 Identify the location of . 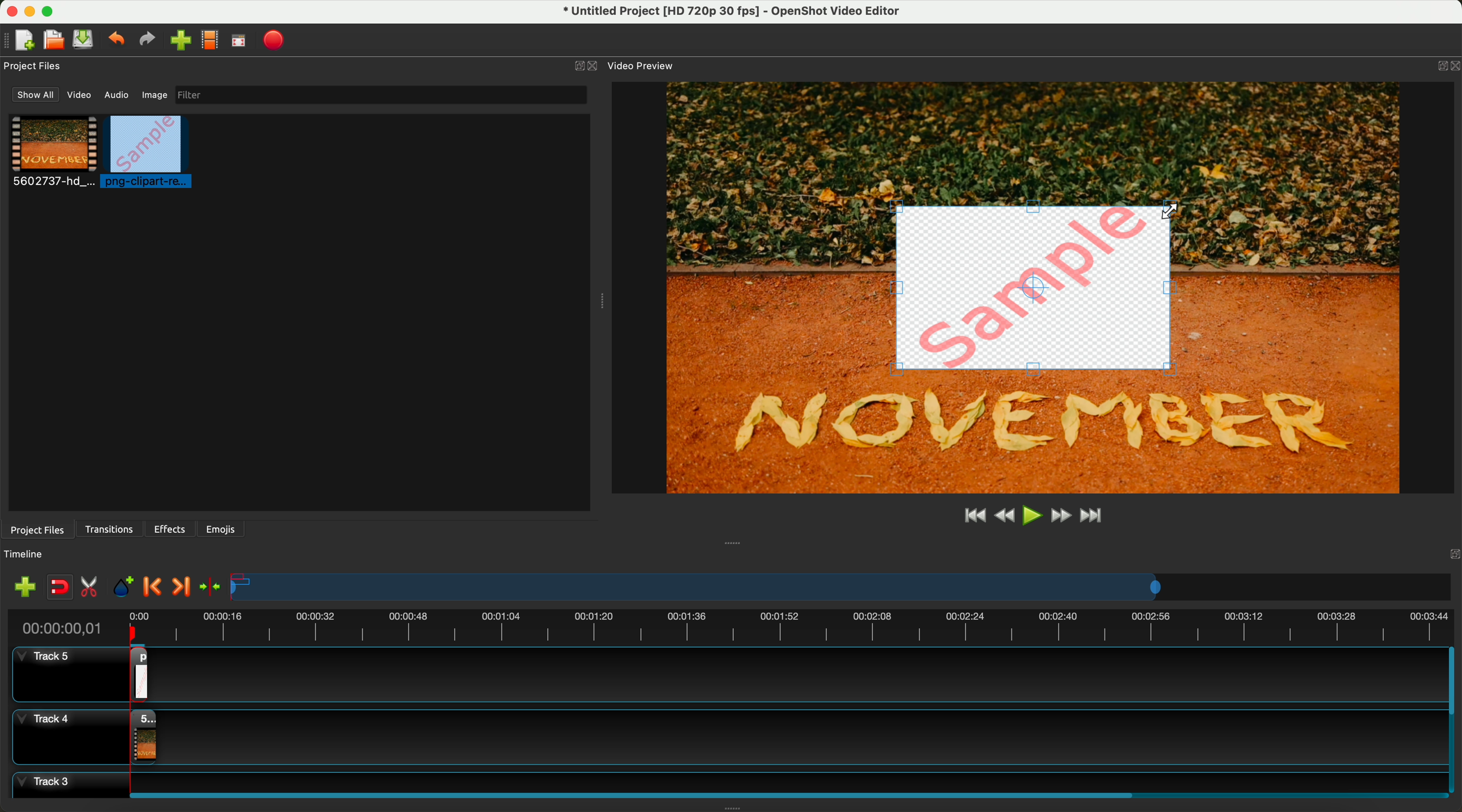
(1451, 553).